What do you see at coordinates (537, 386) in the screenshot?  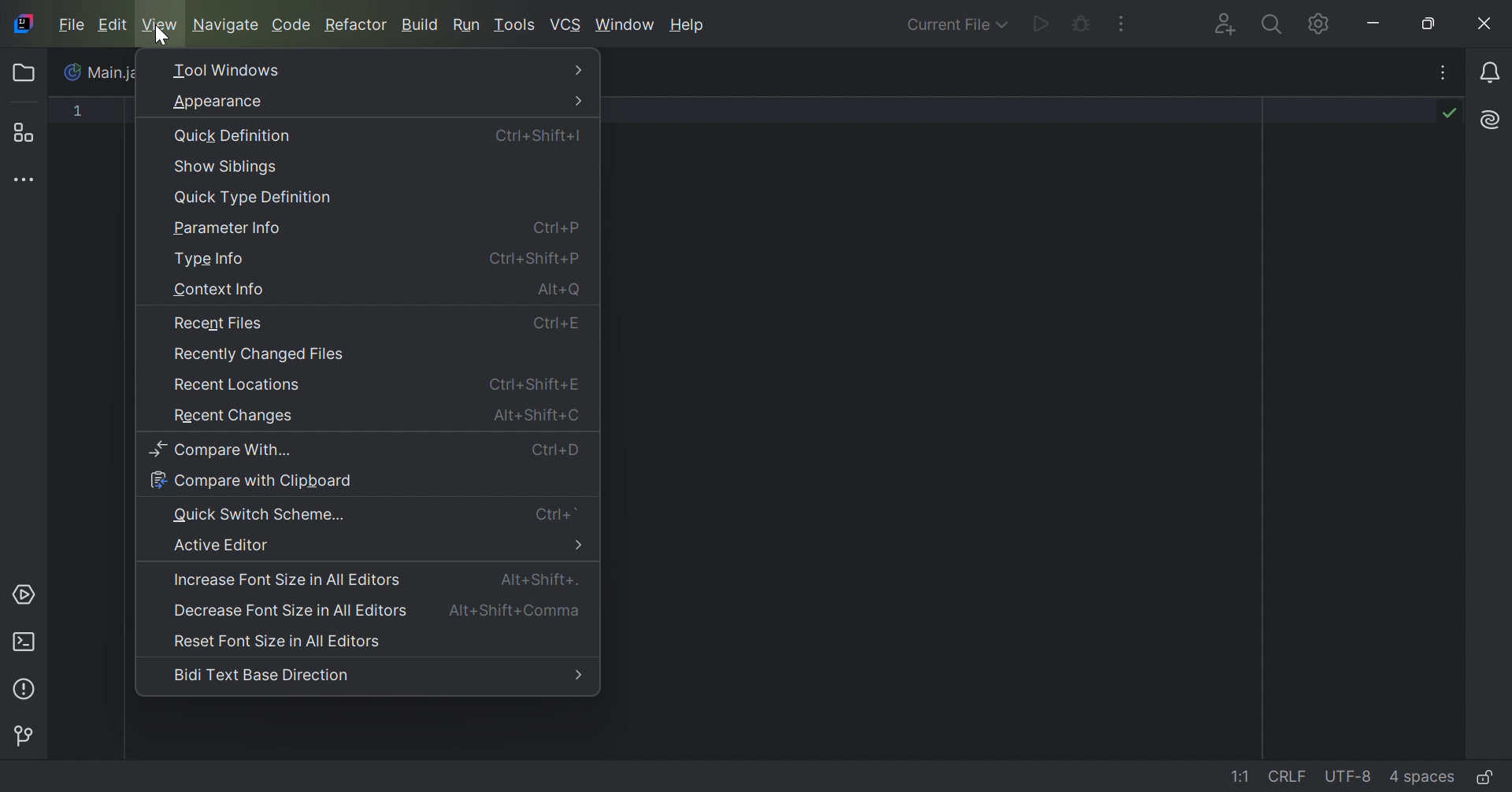 I see `Ctrl+Shift+E` at bounding box center [537, 386].